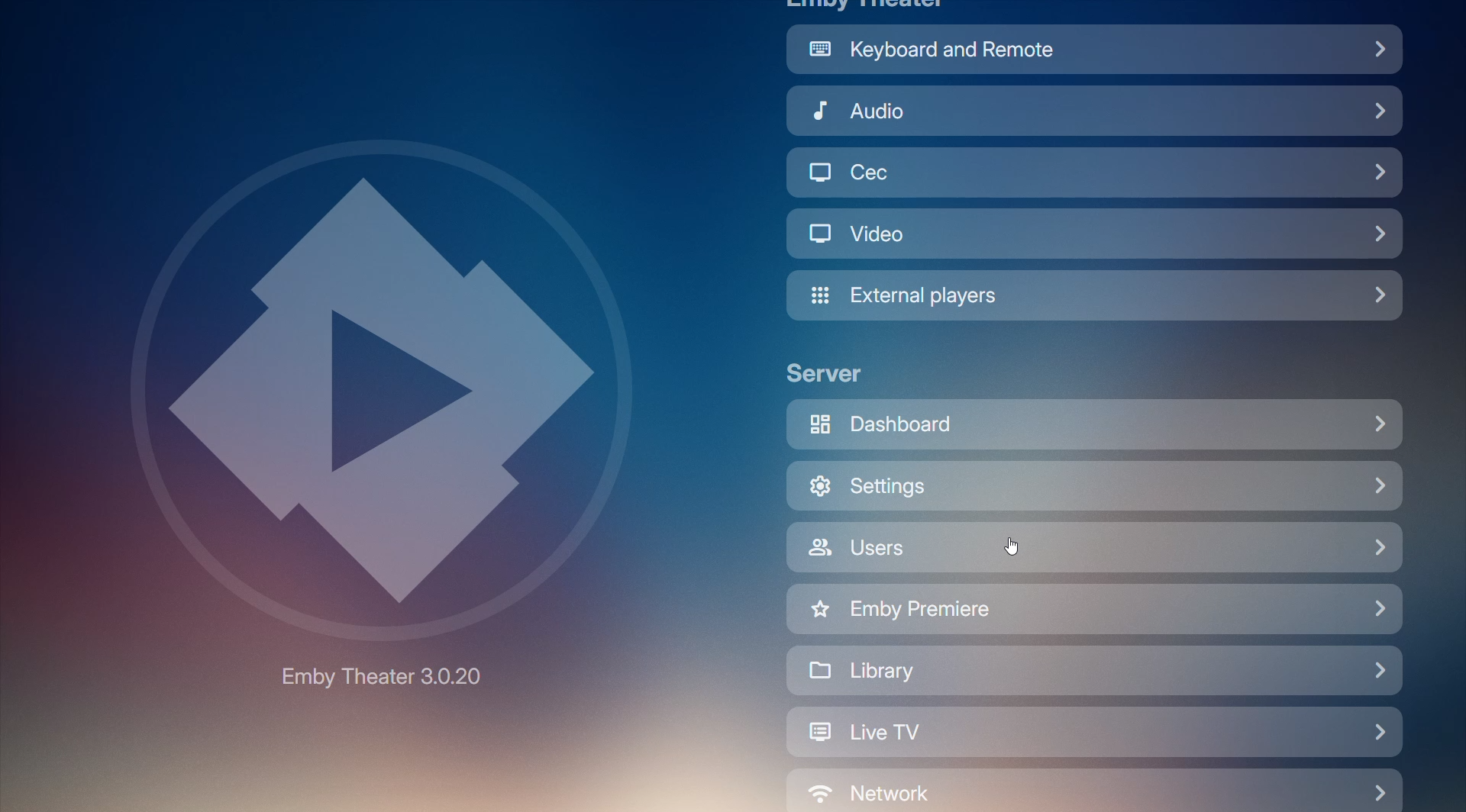 The image size is (1466, 812). What do you see at coordinates (1014, 553) in the screenshot?
I see `cursor` at bounding box center [1014, 553].